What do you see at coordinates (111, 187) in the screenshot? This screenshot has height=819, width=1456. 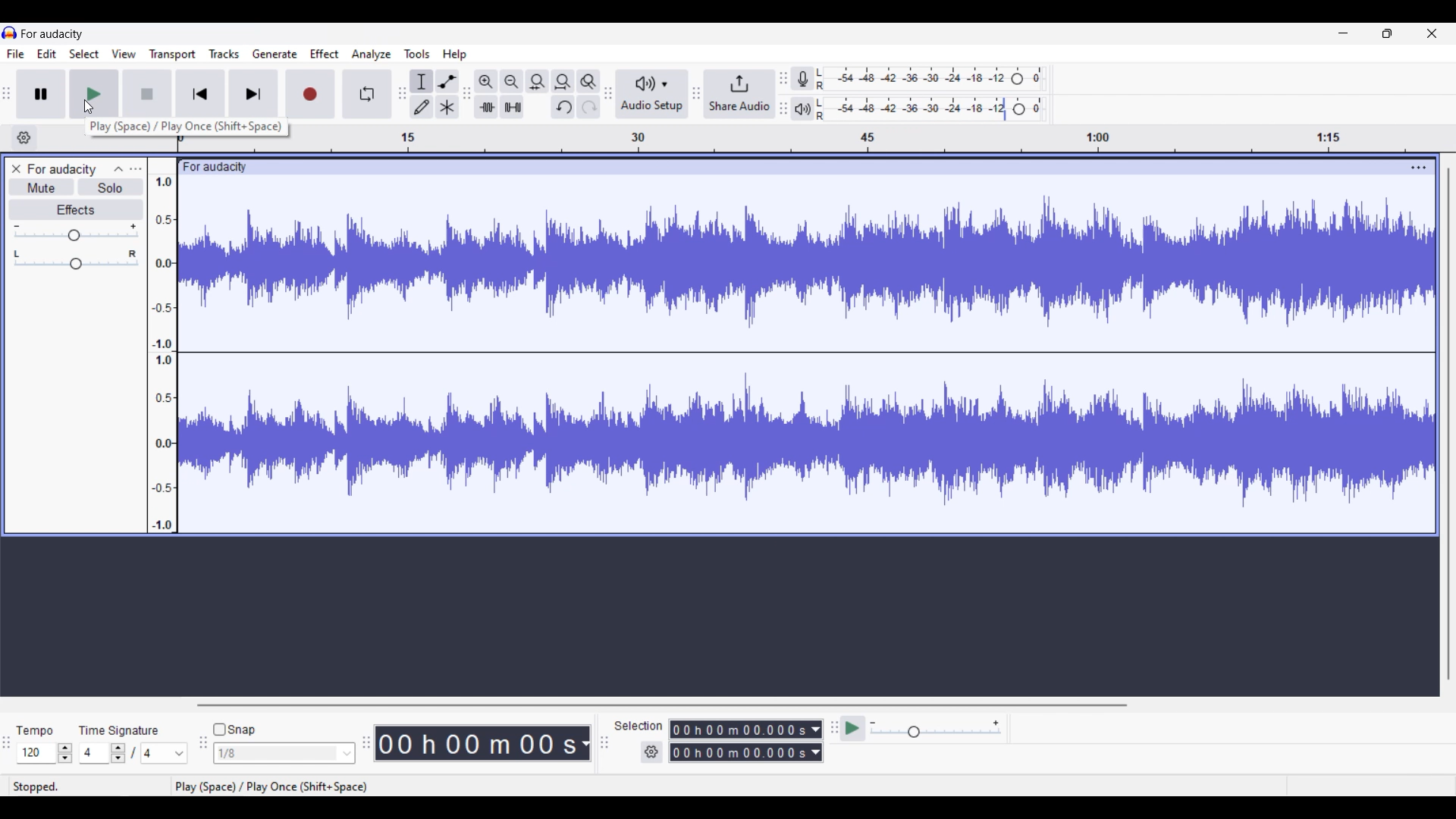 I see `Solo` at bounding box center [111, 187].